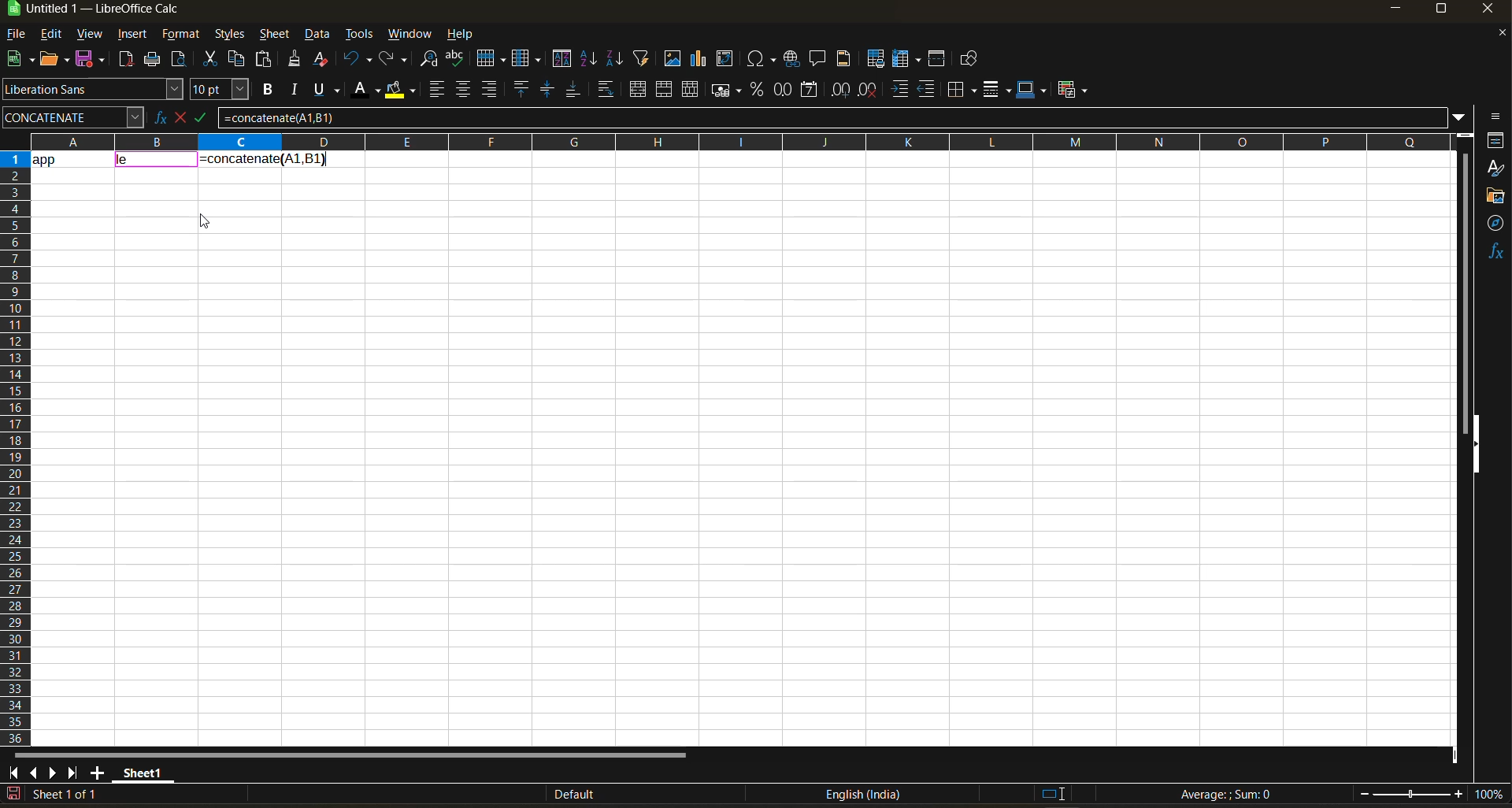 This screenshot has height=808, width=1512. What do you see at coordinates (1465, 282) in the screenshot?
I see `vertical scroll bar` at bounding box center [1465, 282].